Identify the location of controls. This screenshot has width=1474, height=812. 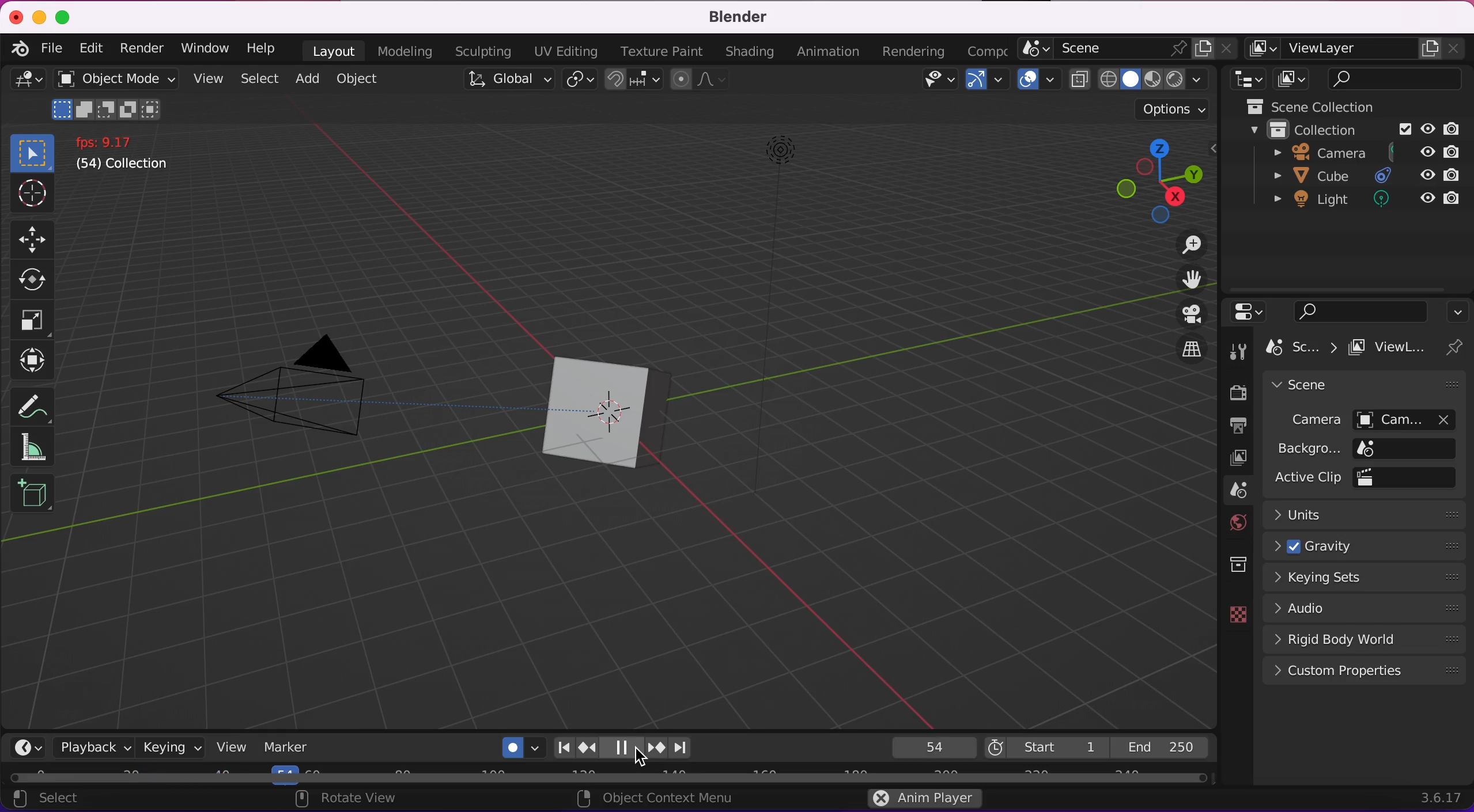
(1250, 312).